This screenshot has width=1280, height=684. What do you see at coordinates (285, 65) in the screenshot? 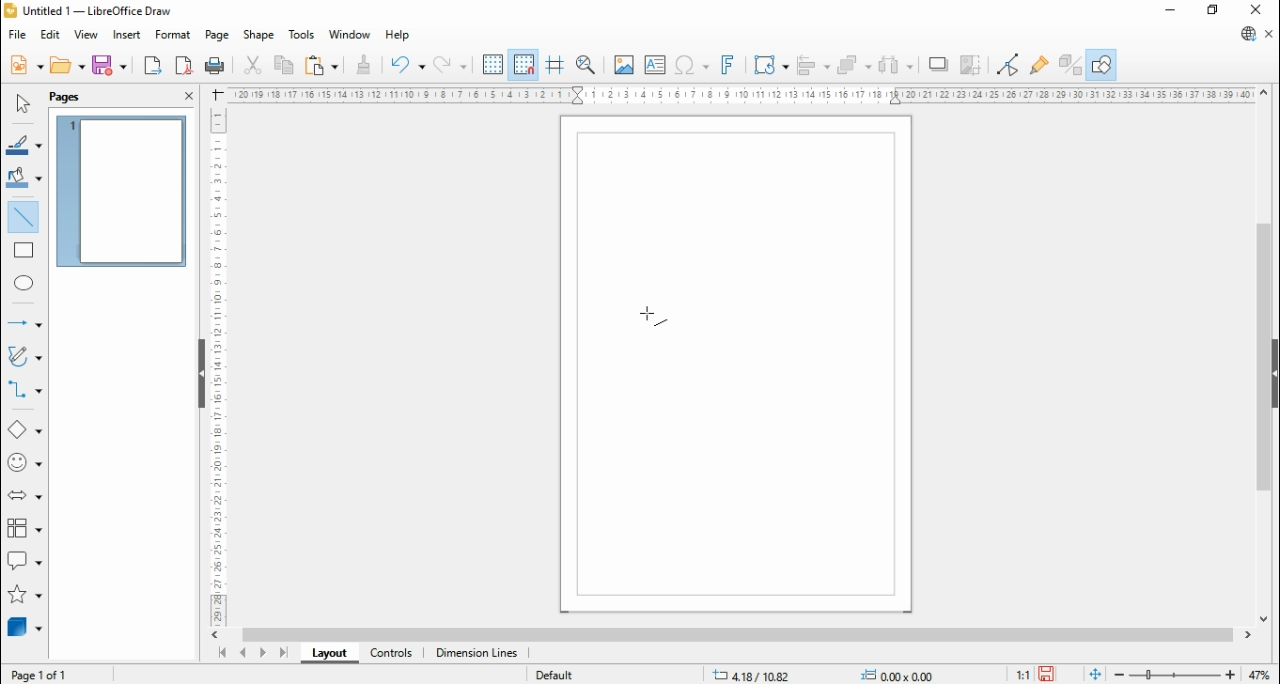
I see `copy` at bounding box center [285, 65].